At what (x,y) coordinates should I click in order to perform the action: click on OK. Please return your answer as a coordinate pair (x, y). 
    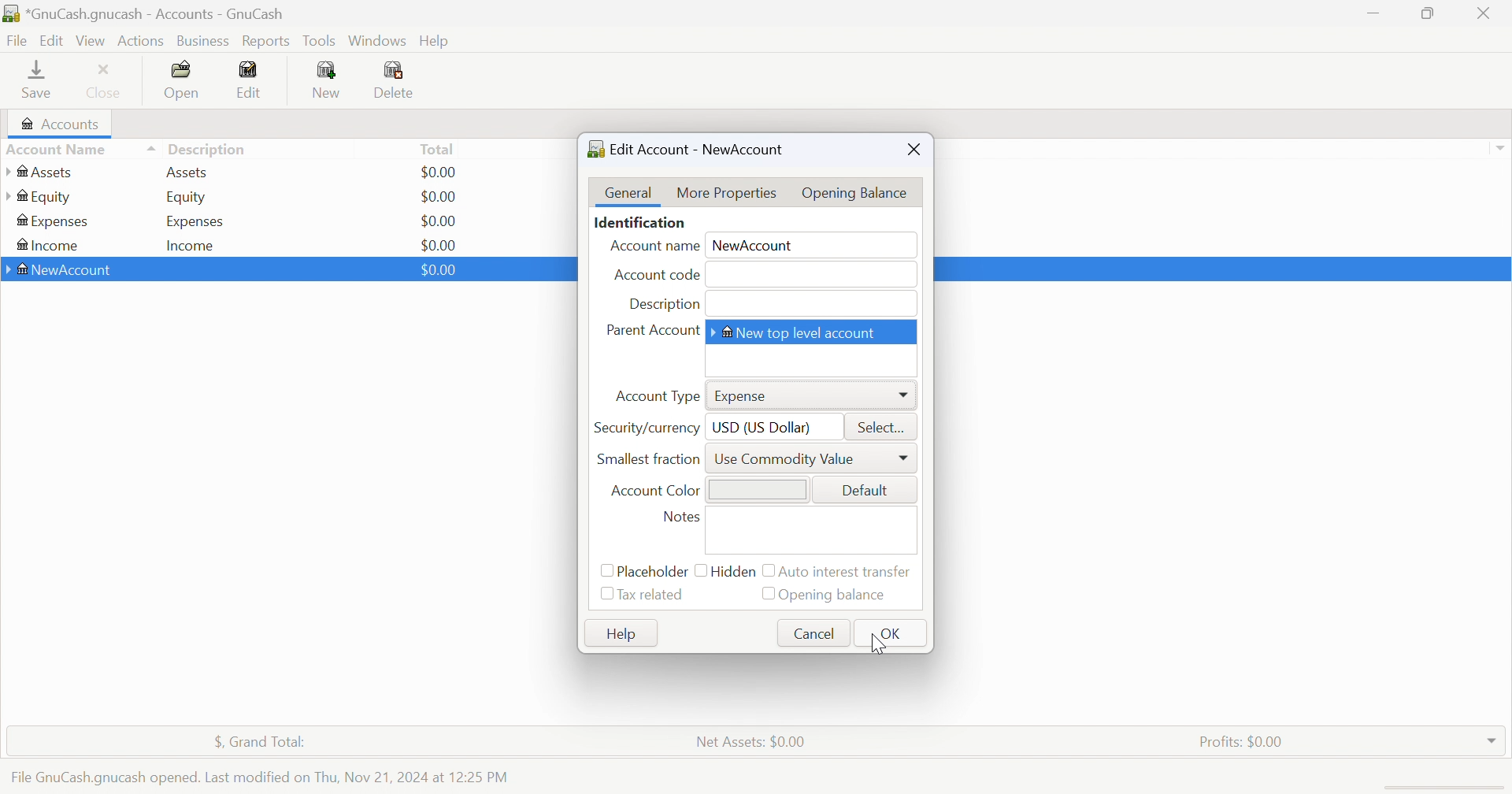
    Looking at the image, I should click on (892, 634).